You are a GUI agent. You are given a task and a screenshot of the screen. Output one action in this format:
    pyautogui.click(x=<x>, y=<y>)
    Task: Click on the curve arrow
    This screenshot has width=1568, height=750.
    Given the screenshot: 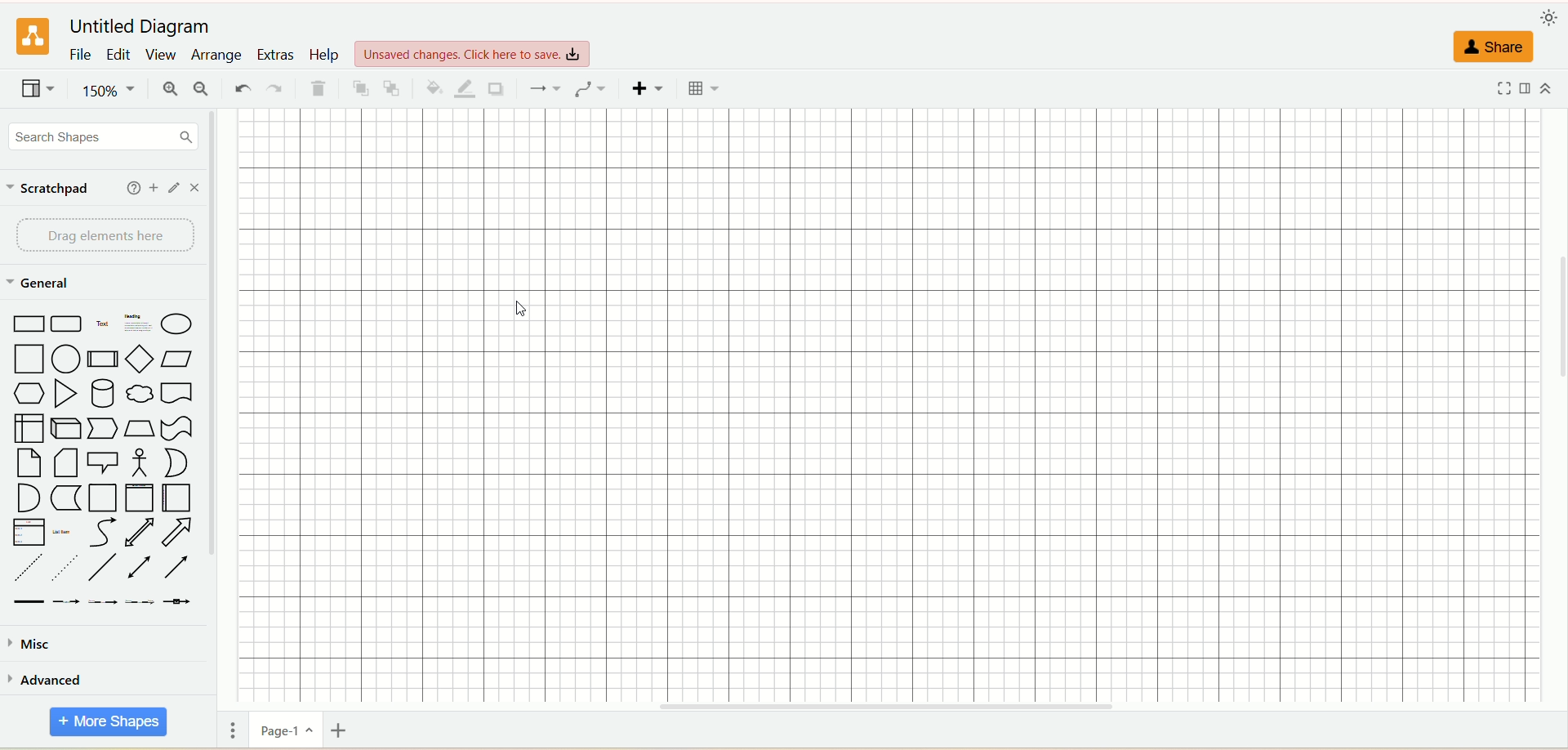 What is the action you would take?
    pyautogui.click(x=100, y=533)
    